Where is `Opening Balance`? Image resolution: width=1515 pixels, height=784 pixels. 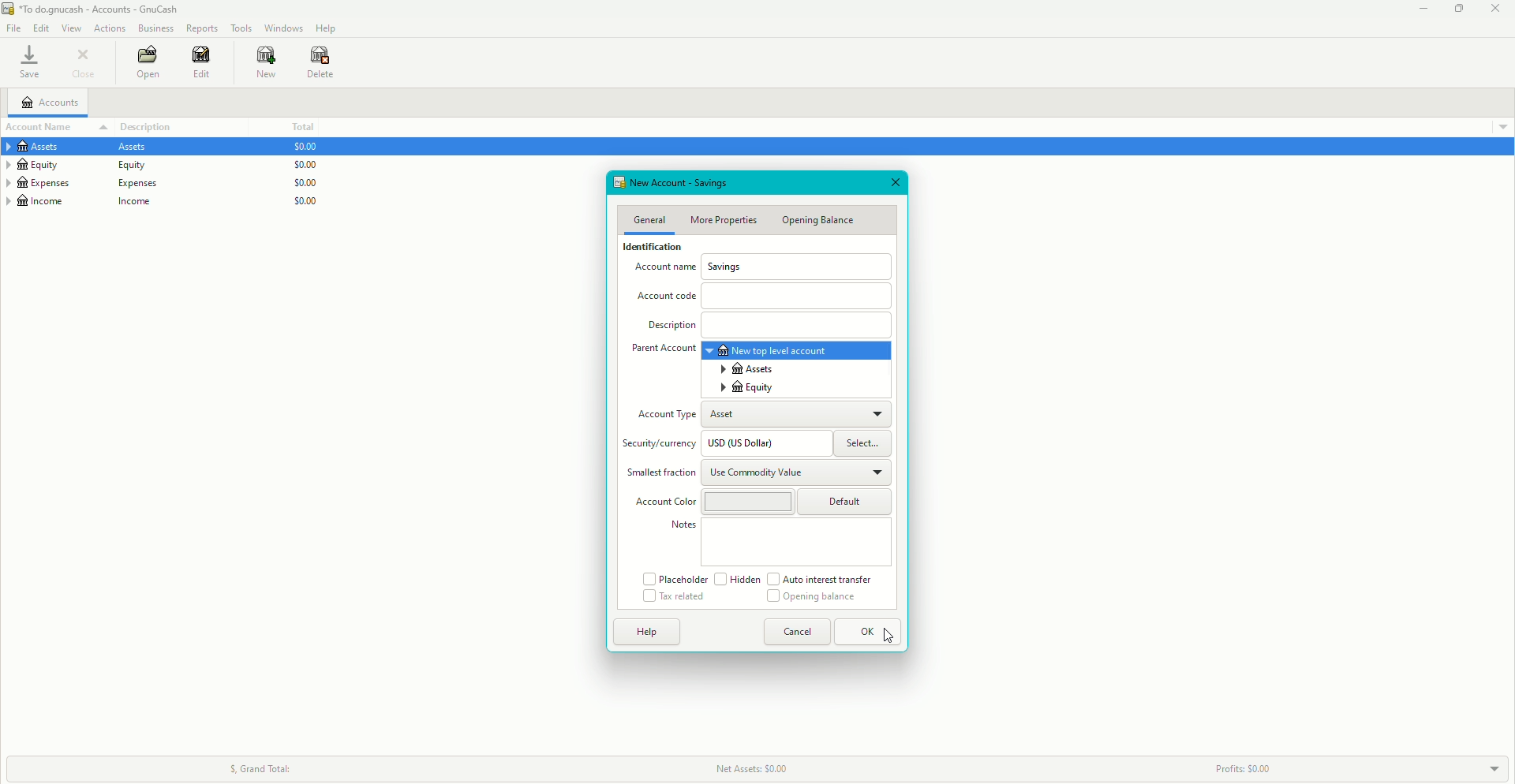 Opening Balance is located at coordinates (810, 598).